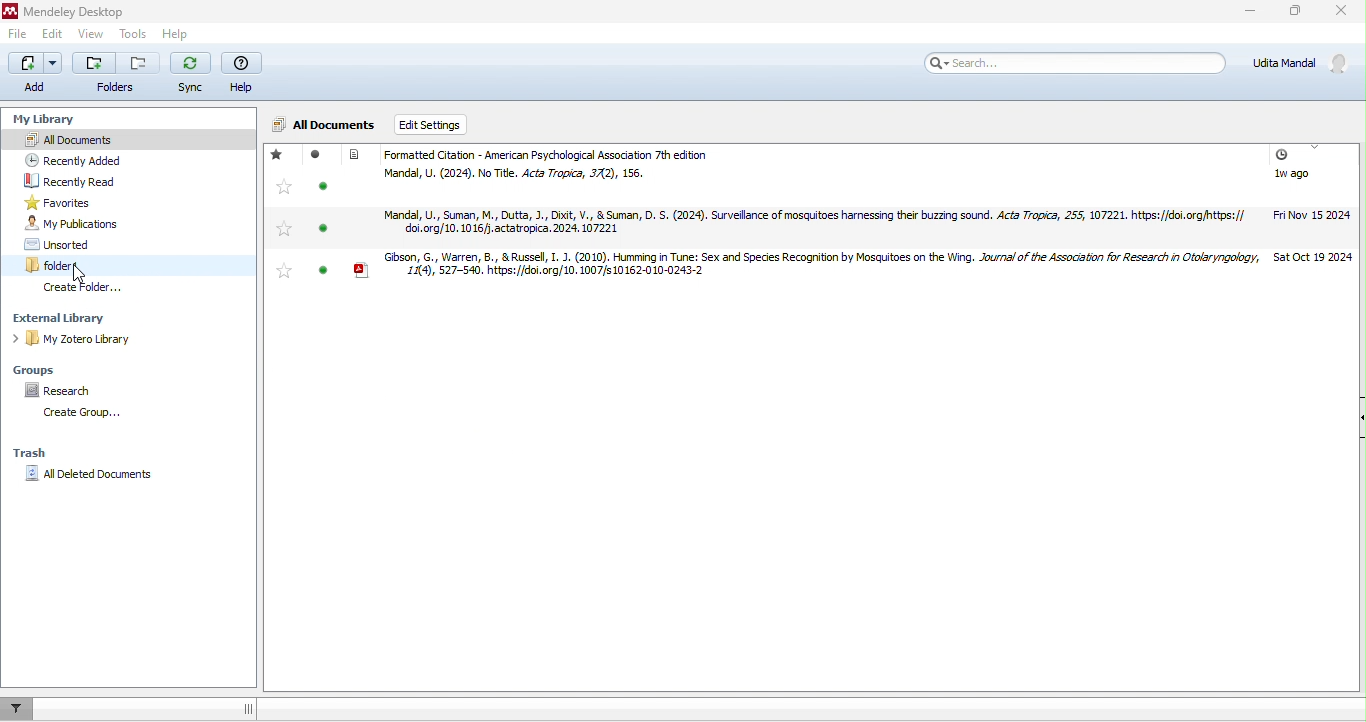  What do you see at coordinates (285, 229) in the screenshot?
I see `Favorite` at bounding box center [285, 229].